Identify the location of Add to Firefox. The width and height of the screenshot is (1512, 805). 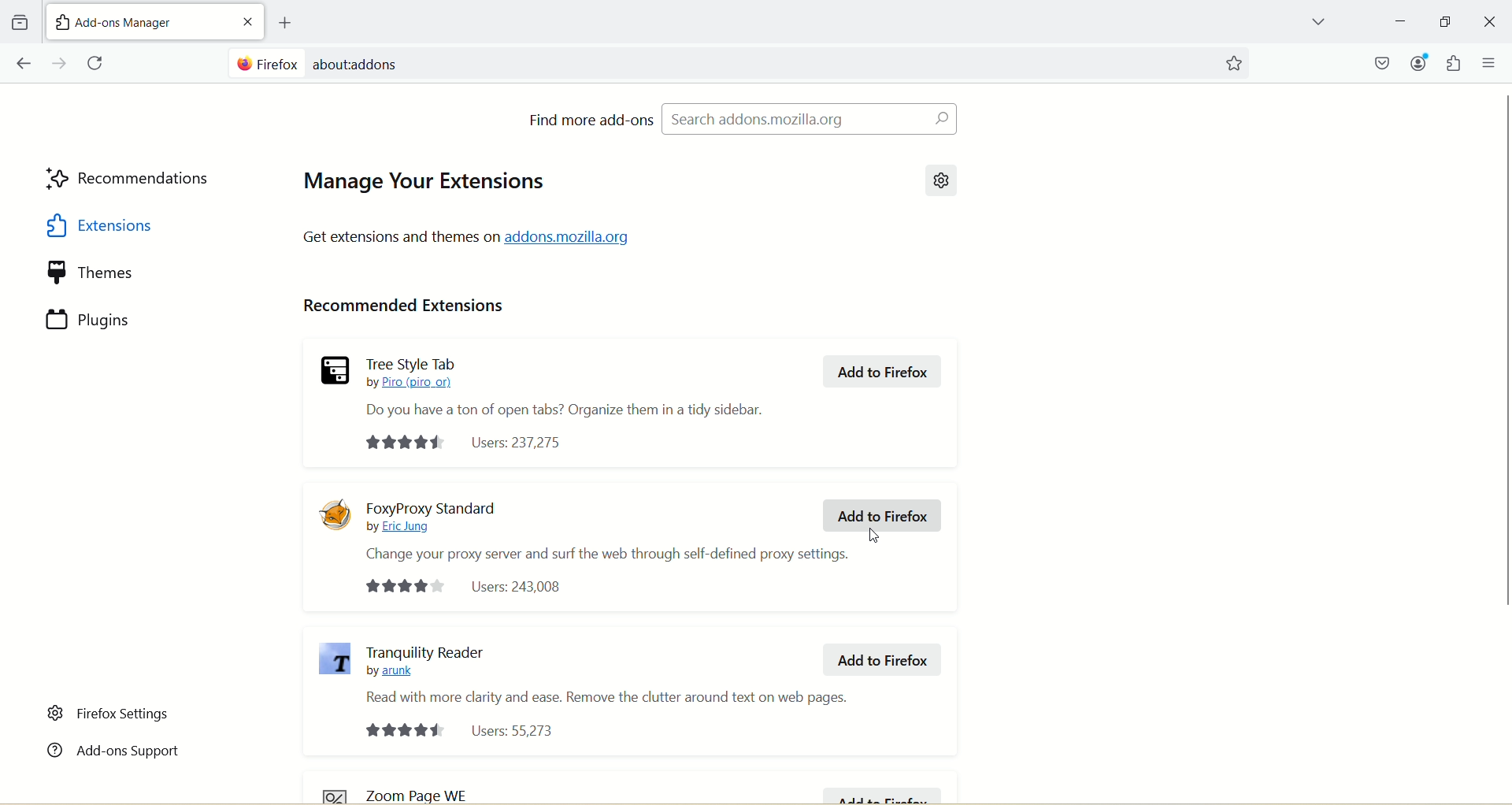
(883, 372).